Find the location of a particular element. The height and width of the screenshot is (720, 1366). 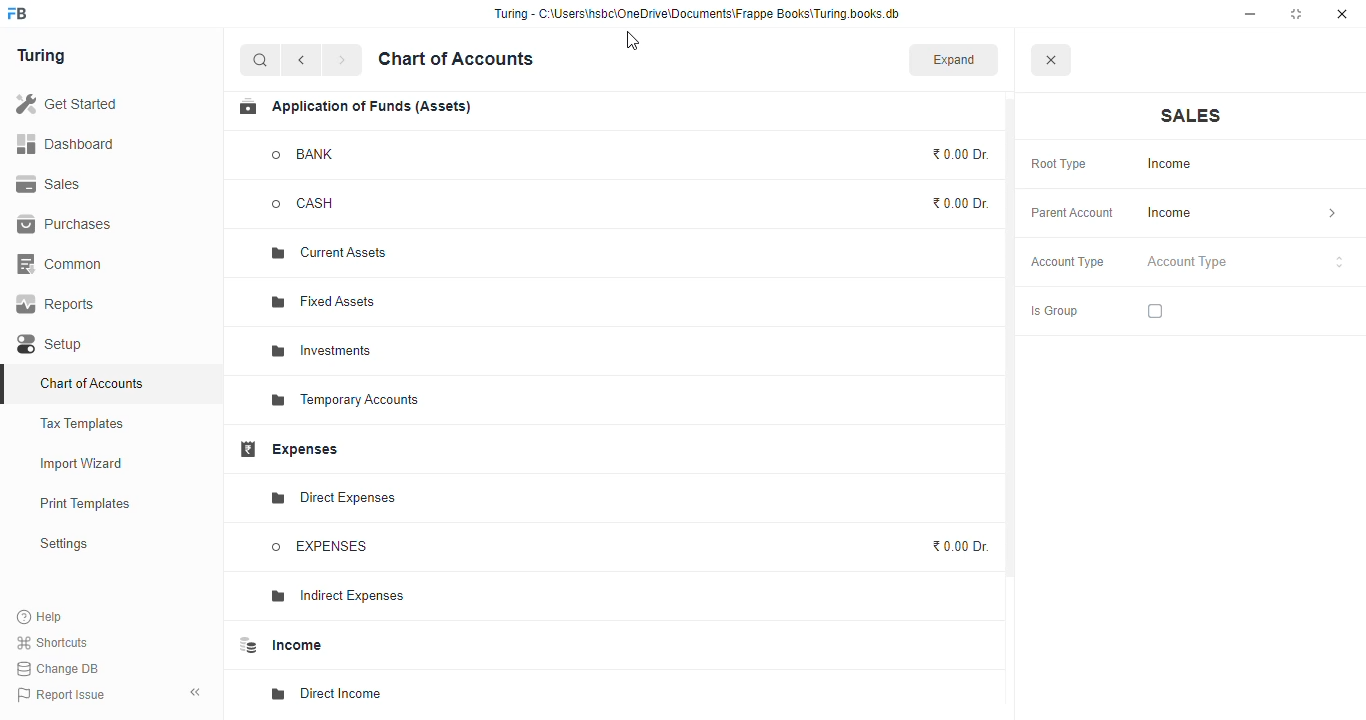

cursor is located at coordinates (631, 40).